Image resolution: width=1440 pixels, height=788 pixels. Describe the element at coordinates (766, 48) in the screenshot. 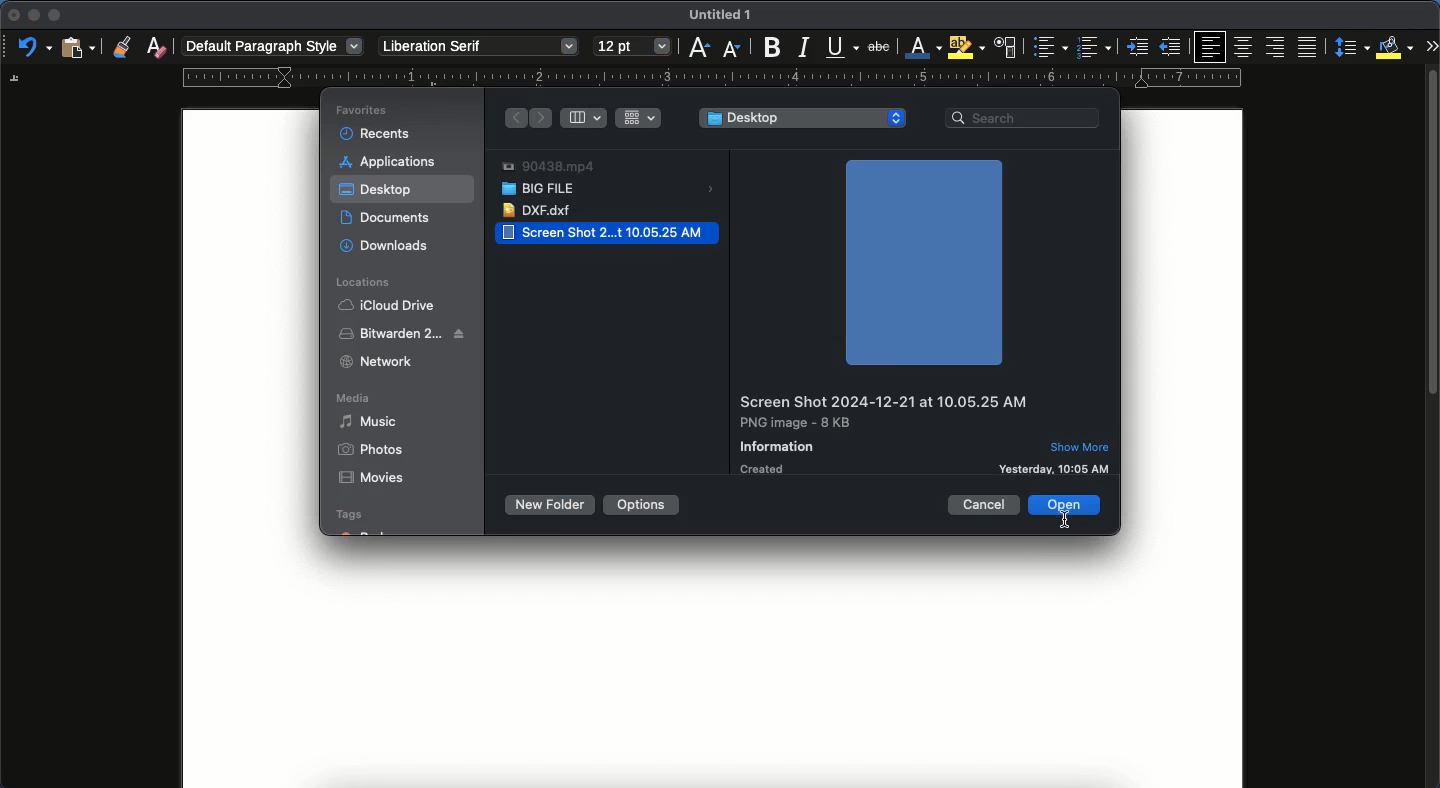

I see `bold` at that location.